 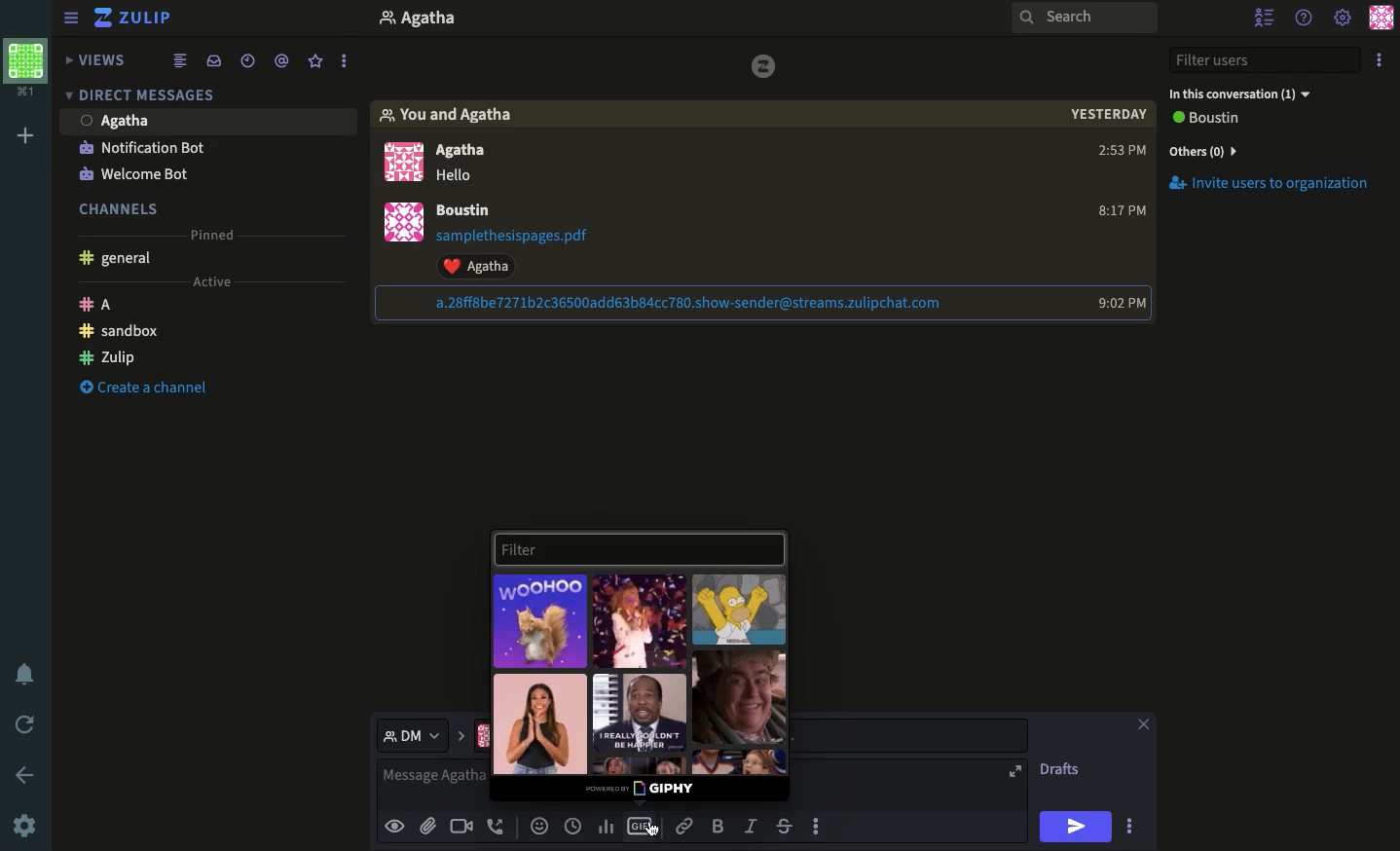 What do you see at coordinates (644, 790) in the screenshot?
I see `GIPHY` at bounding box center [644, 790].